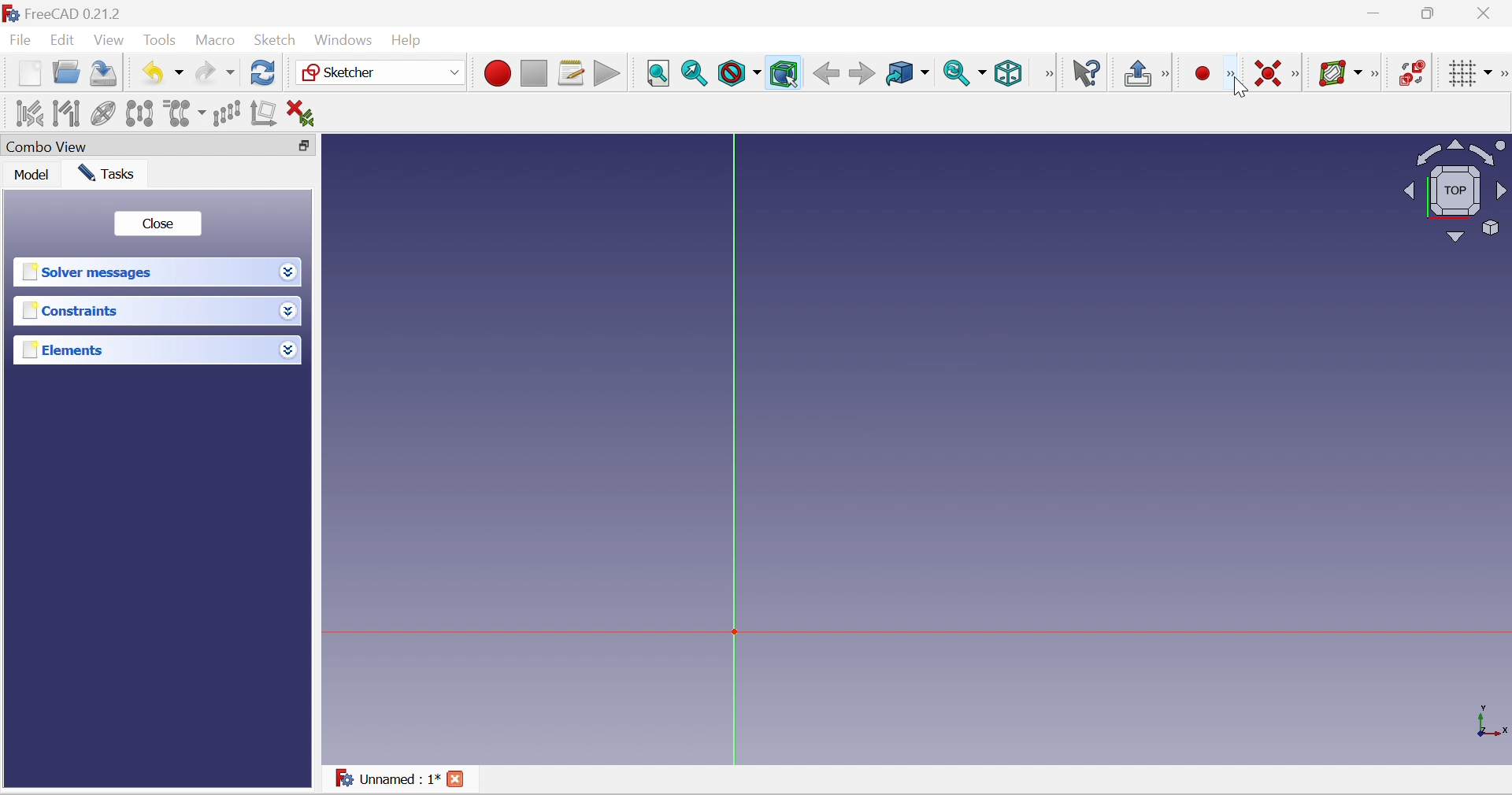 The image size is (1512, 795). What do you see at coordinates (388, 777) in the screenshot?
I see `Unnamed : 1*` at bounding box center [388, 777].